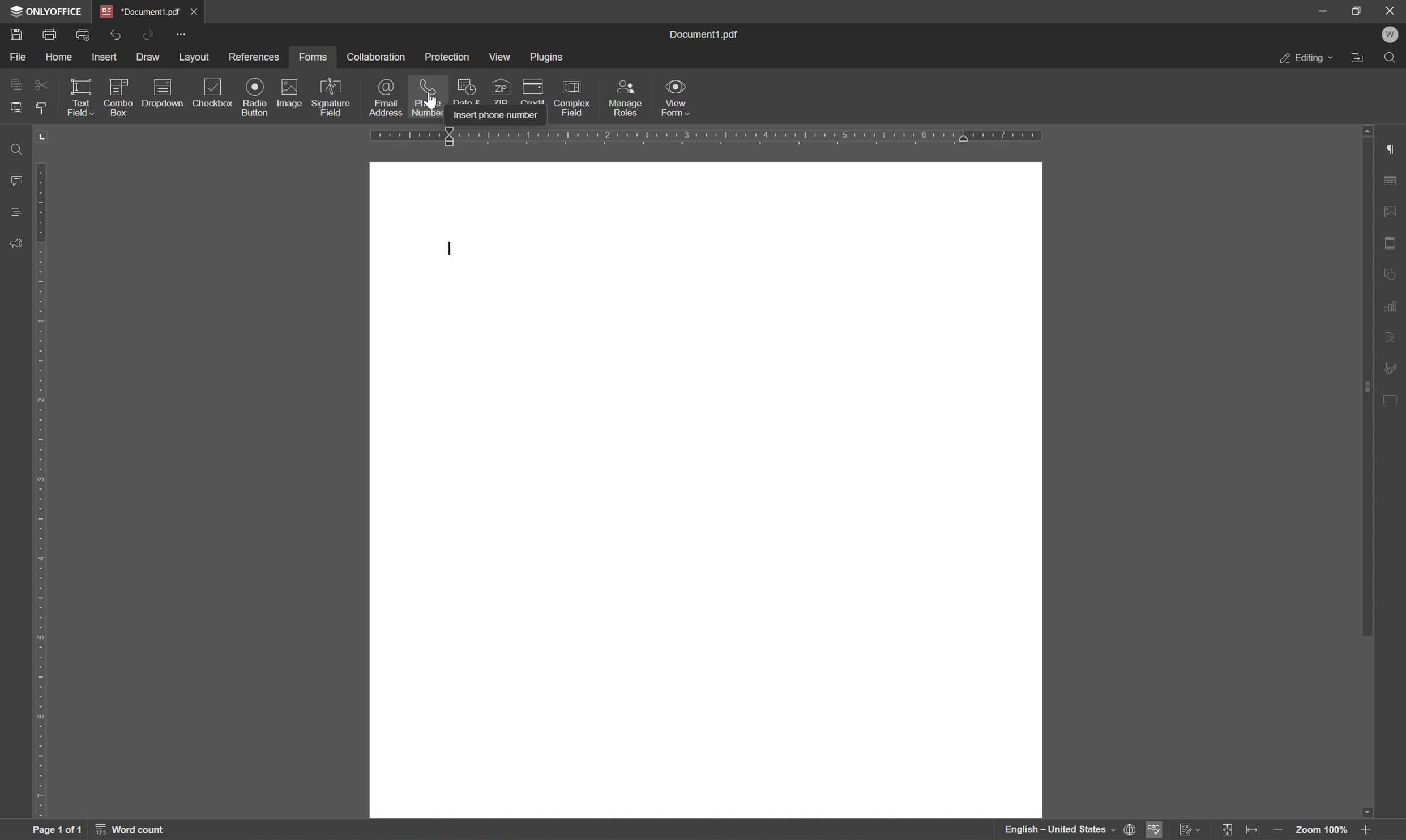  Describe the element at coordinates (1323, 832) in the screenshot. I see `zoom 100%` at that location.